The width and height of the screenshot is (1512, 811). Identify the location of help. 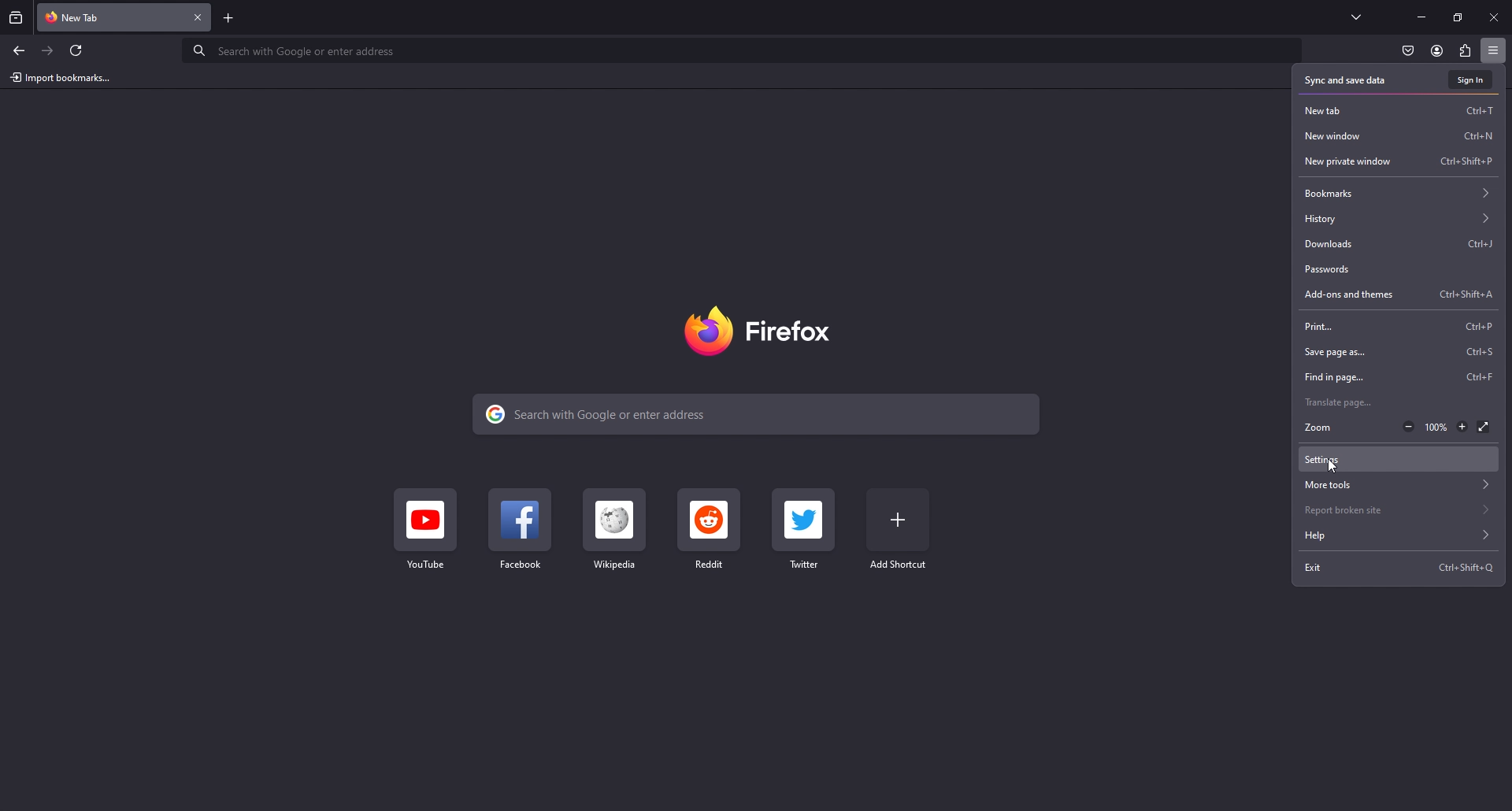
(1395, 536).